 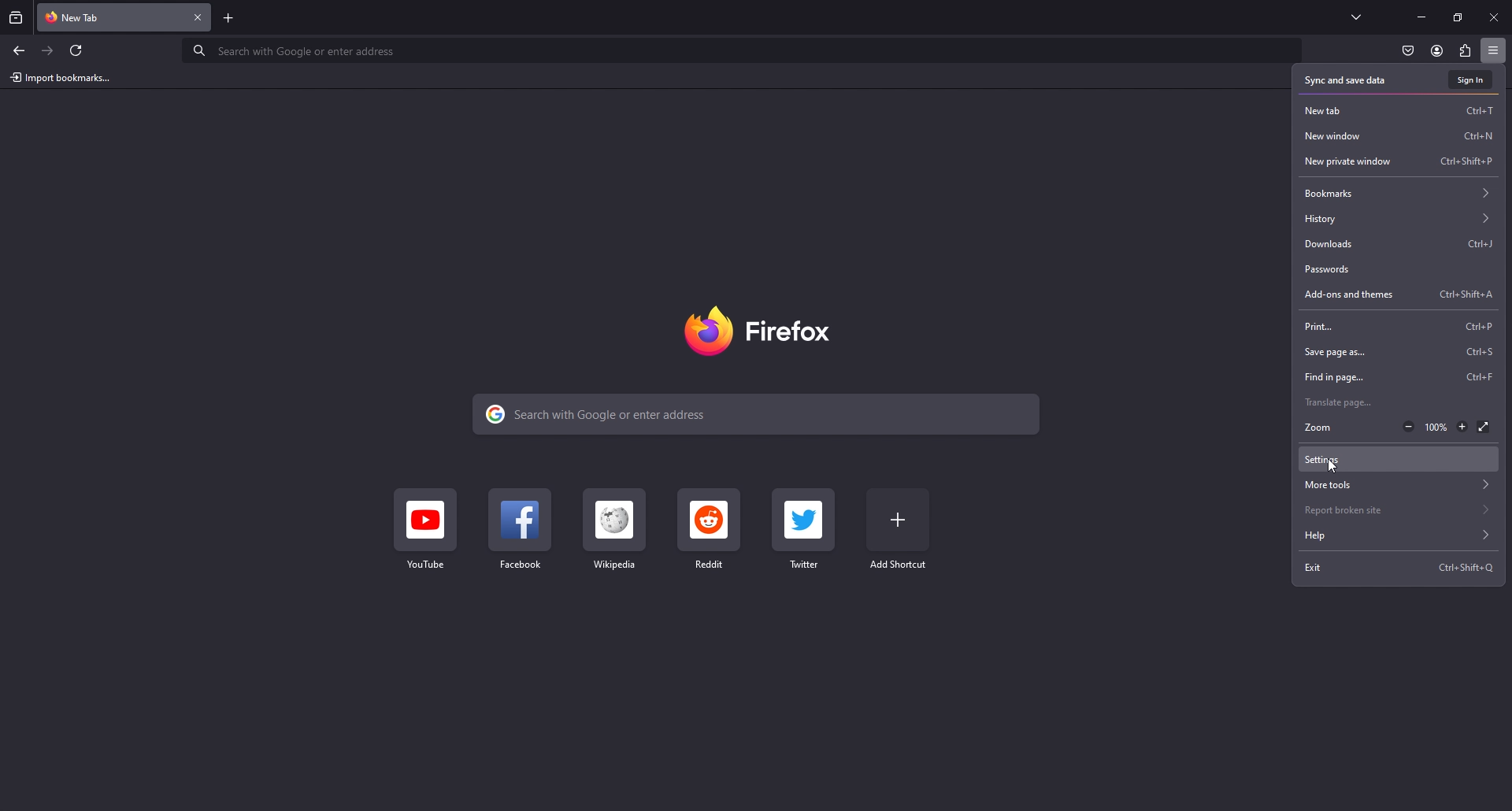 I want to click on close tab, so click(x=199, y=18).